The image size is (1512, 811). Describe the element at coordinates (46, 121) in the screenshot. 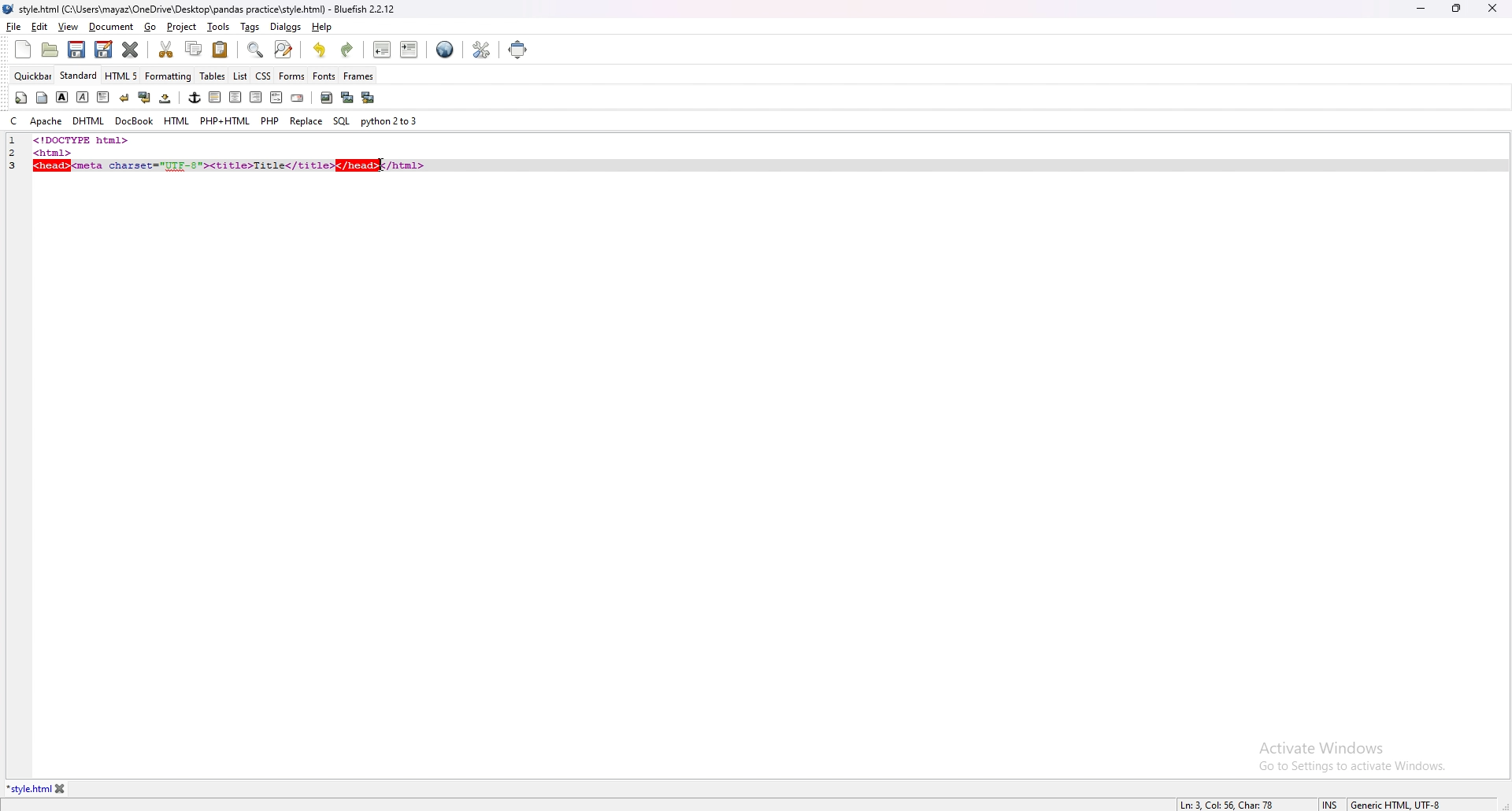

I see `apache` at that location.